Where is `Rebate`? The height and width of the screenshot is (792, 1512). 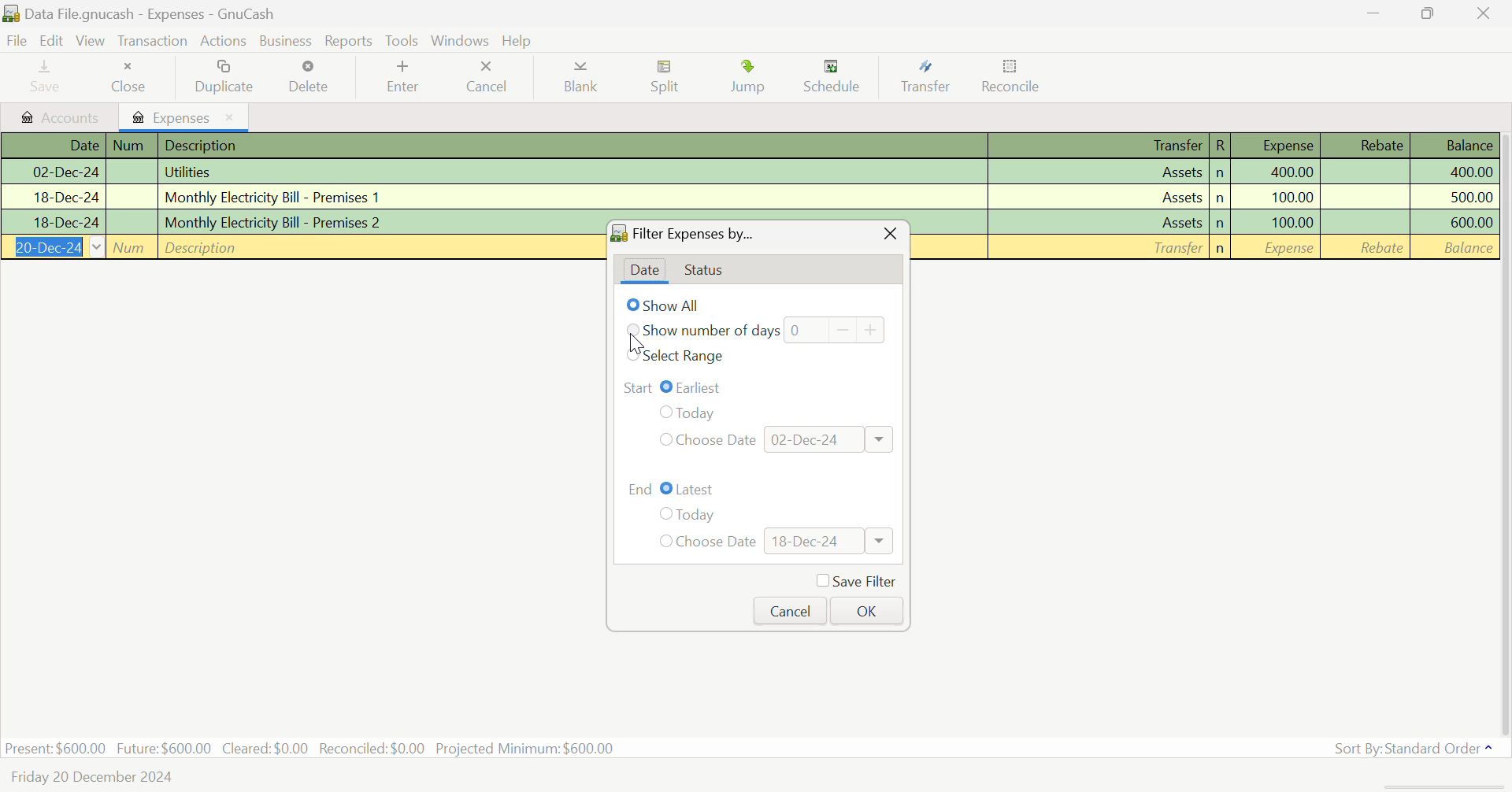
Rebate is located at coordinates (1366, 247).